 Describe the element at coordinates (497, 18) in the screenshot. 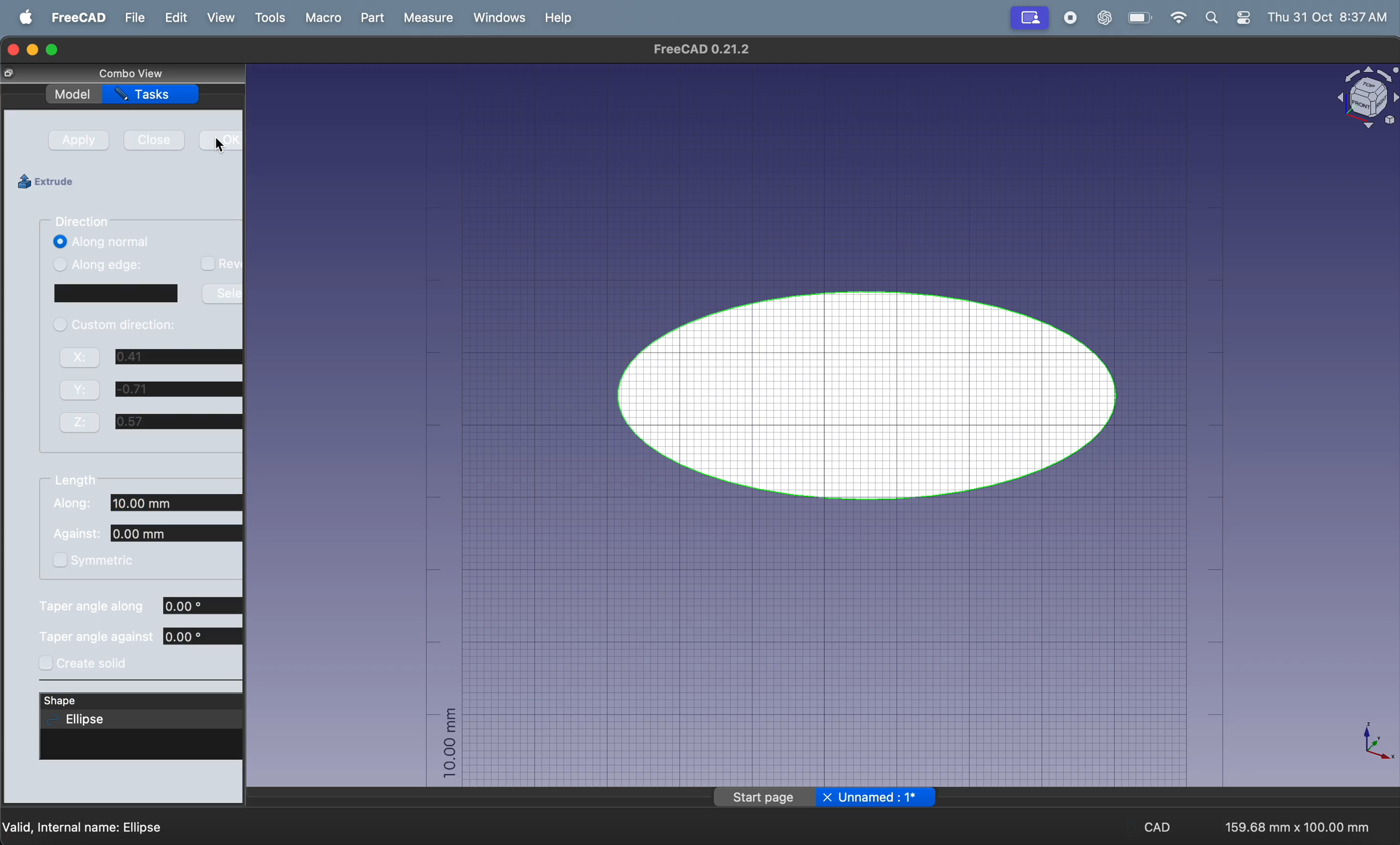

I see `windows` at that location.